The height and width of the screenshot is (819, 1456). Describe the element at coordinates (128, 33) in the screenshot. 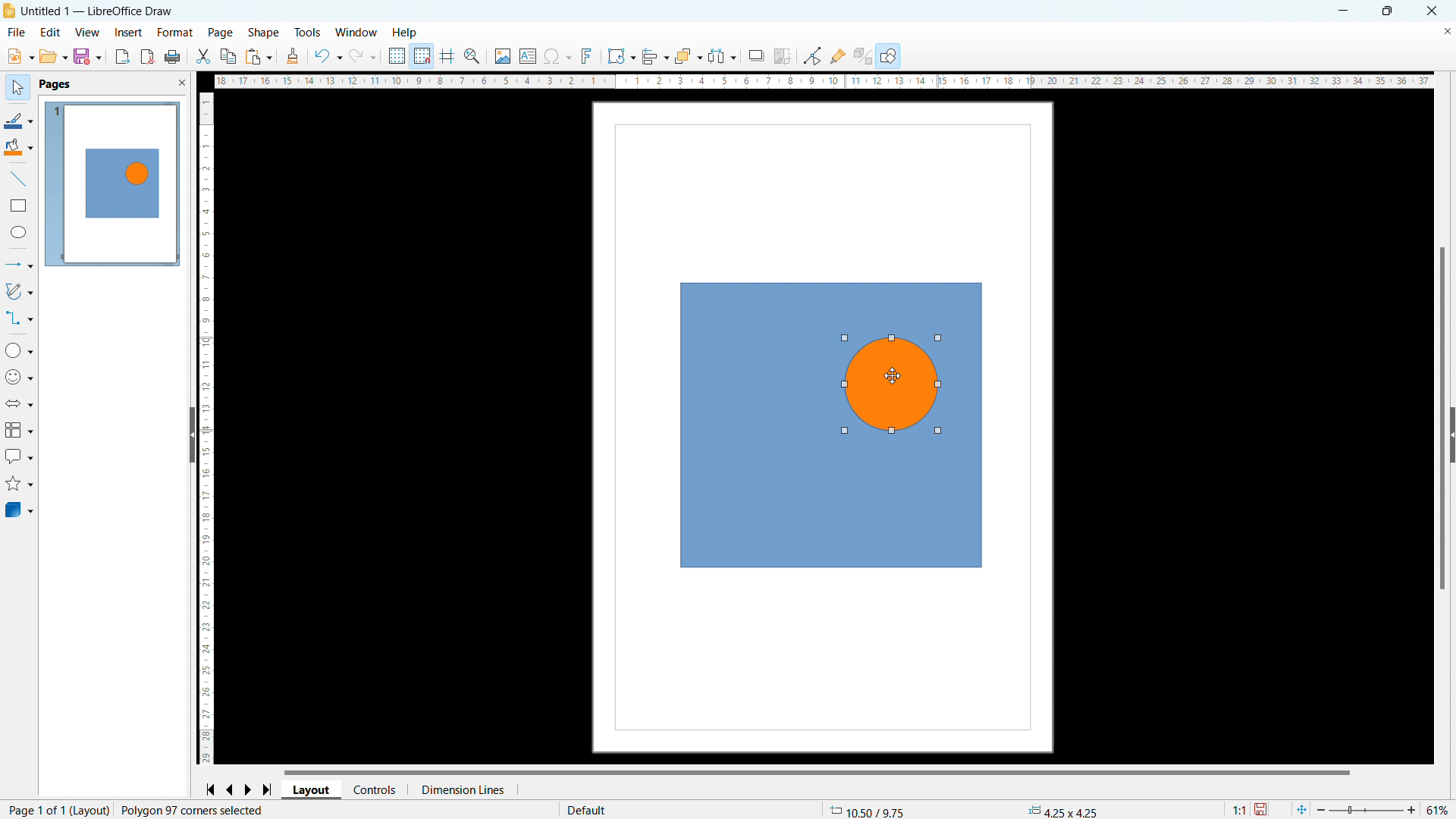

I see `insert` at that location.